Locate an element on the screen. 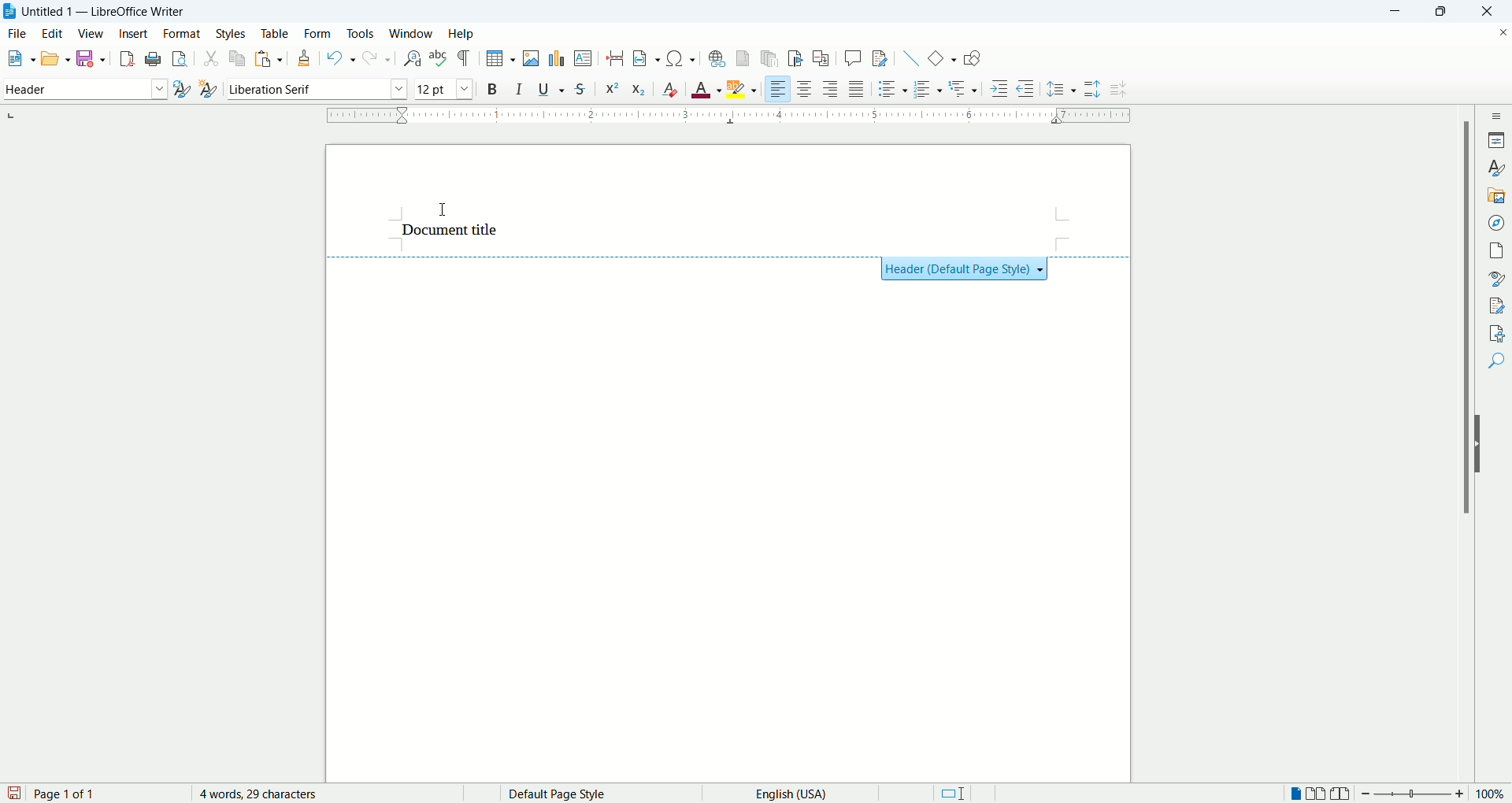 The width and height of the screenshot is (1512, 803). save is located at coordinates (93, 58).